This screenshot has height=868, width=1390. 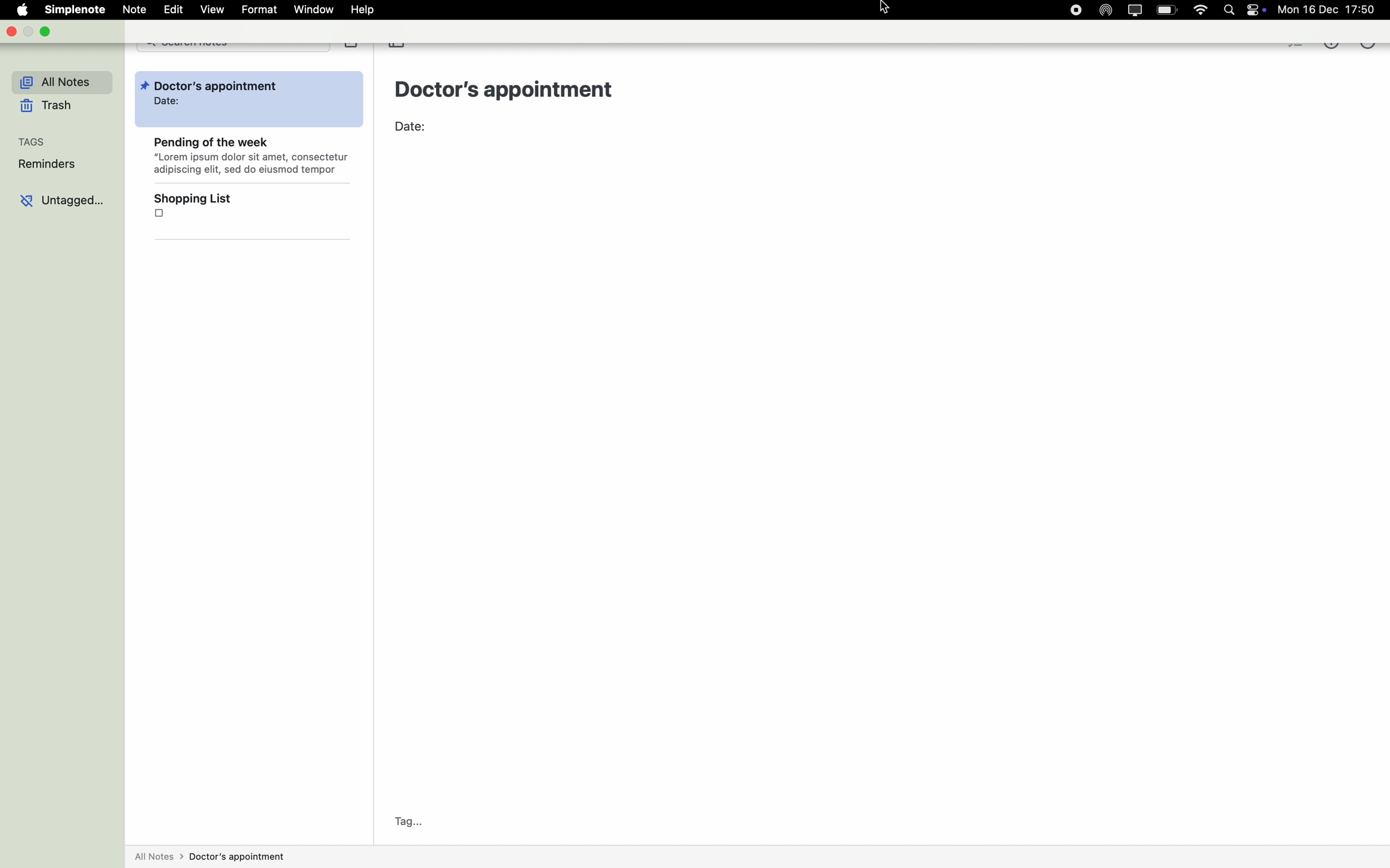 I want to click on help, so click(x=365, y=9).